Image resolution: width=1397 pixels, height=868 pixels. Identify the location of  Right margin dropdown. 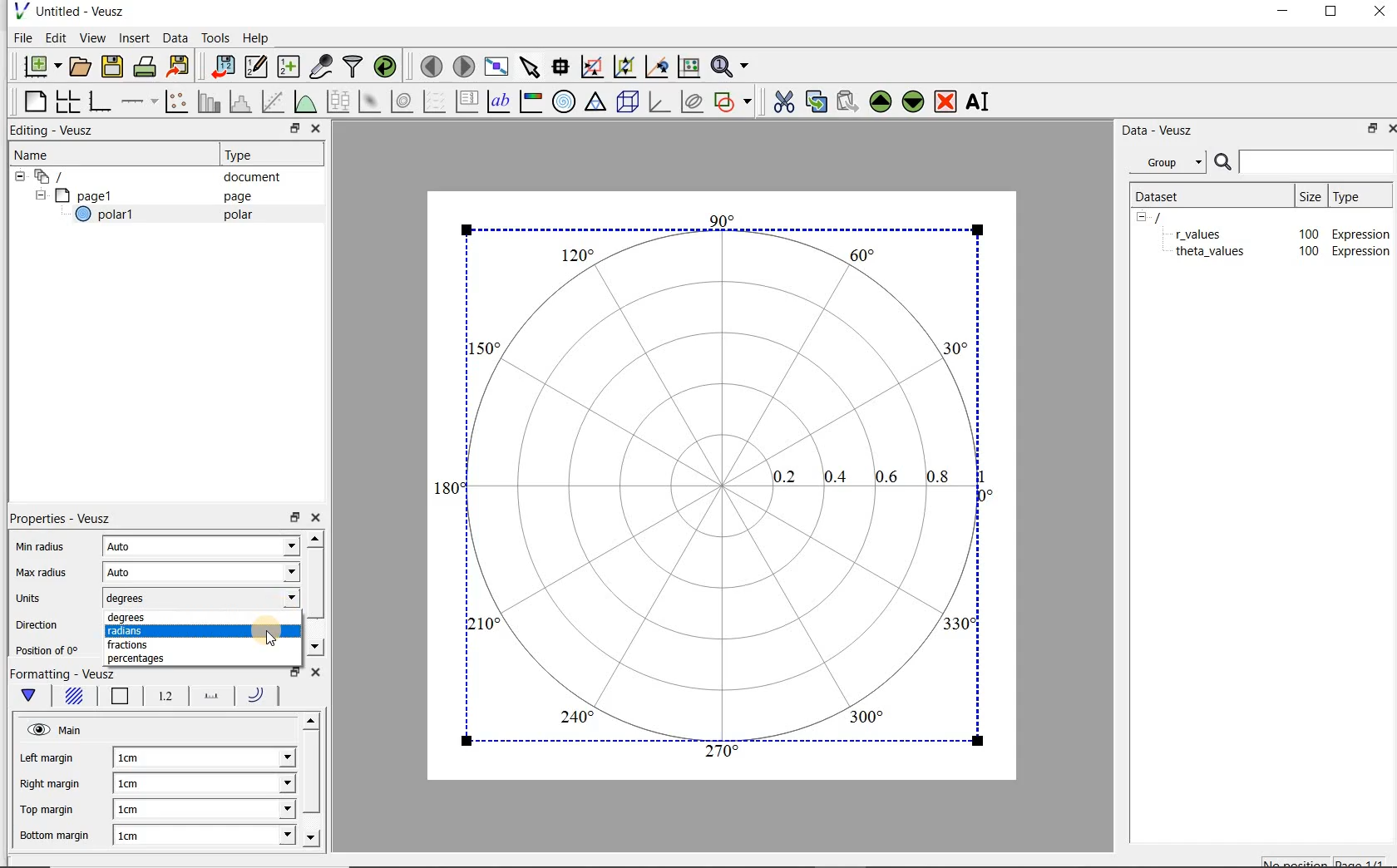
(259, 784).